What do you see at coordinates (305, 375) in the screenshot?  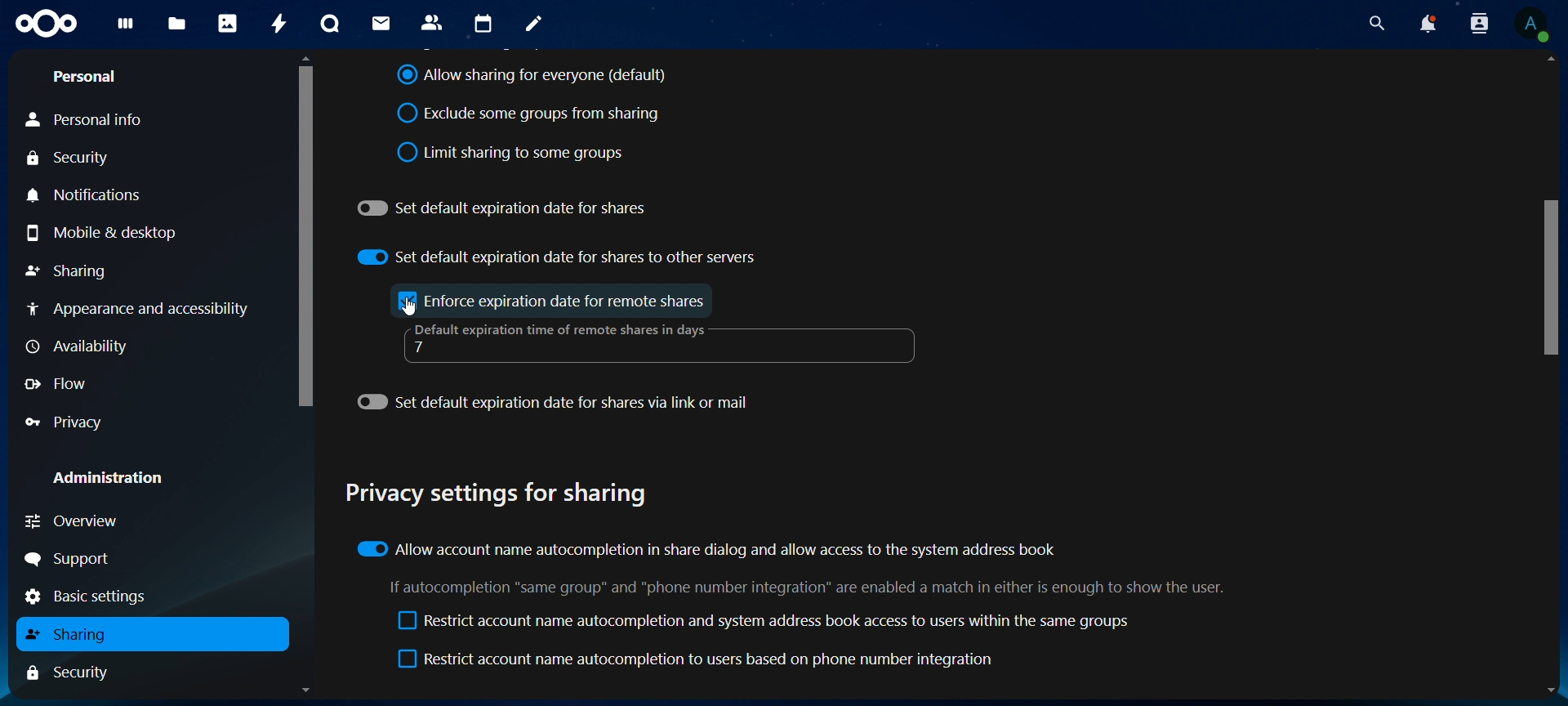 I see `Scrollbar` at bounding box center [305, 375].